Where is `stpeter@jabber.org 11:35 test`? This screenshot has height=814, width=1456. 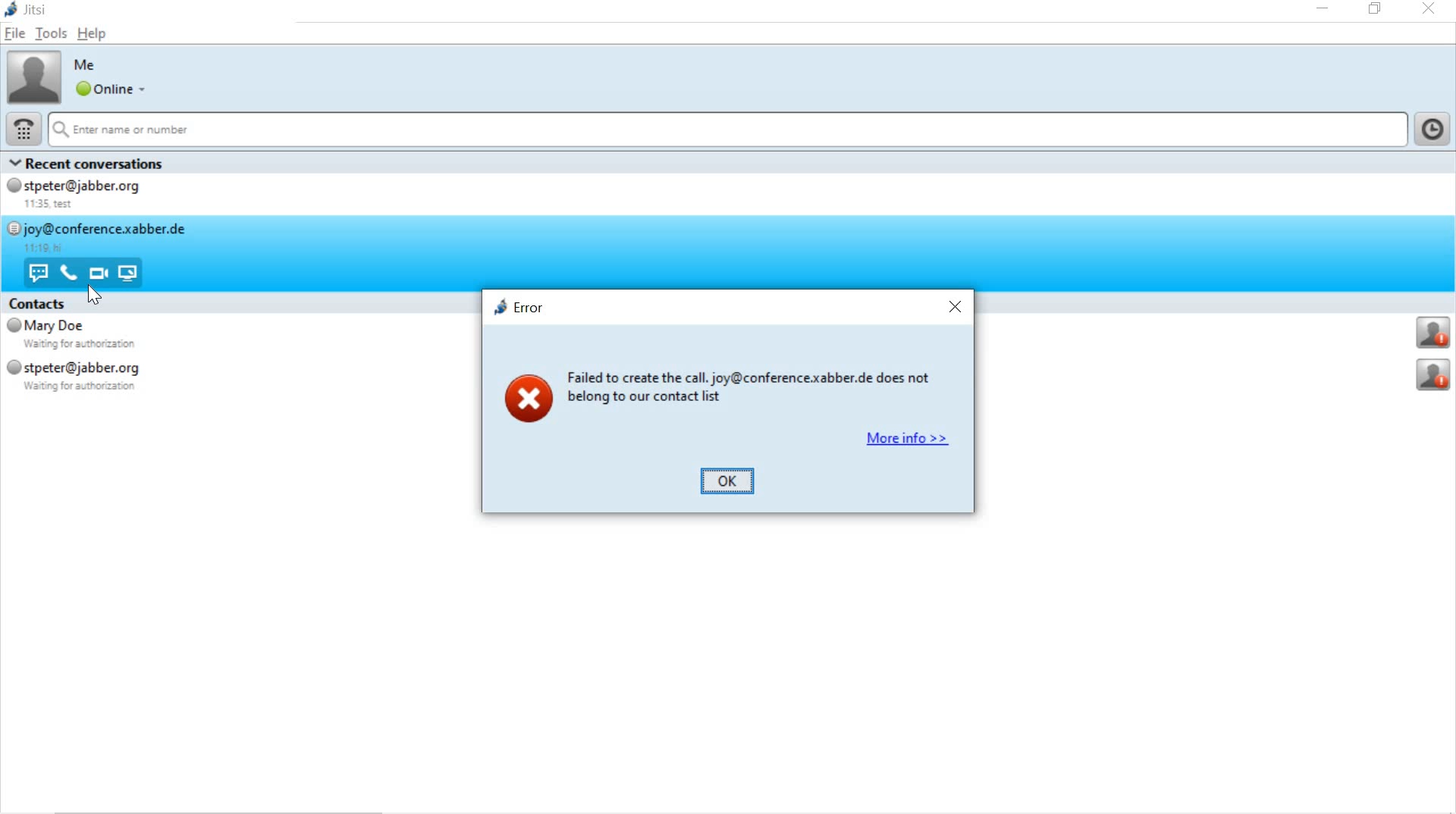 stpeter@jabber.org 11:35 test is located at coordinates (92, 196).